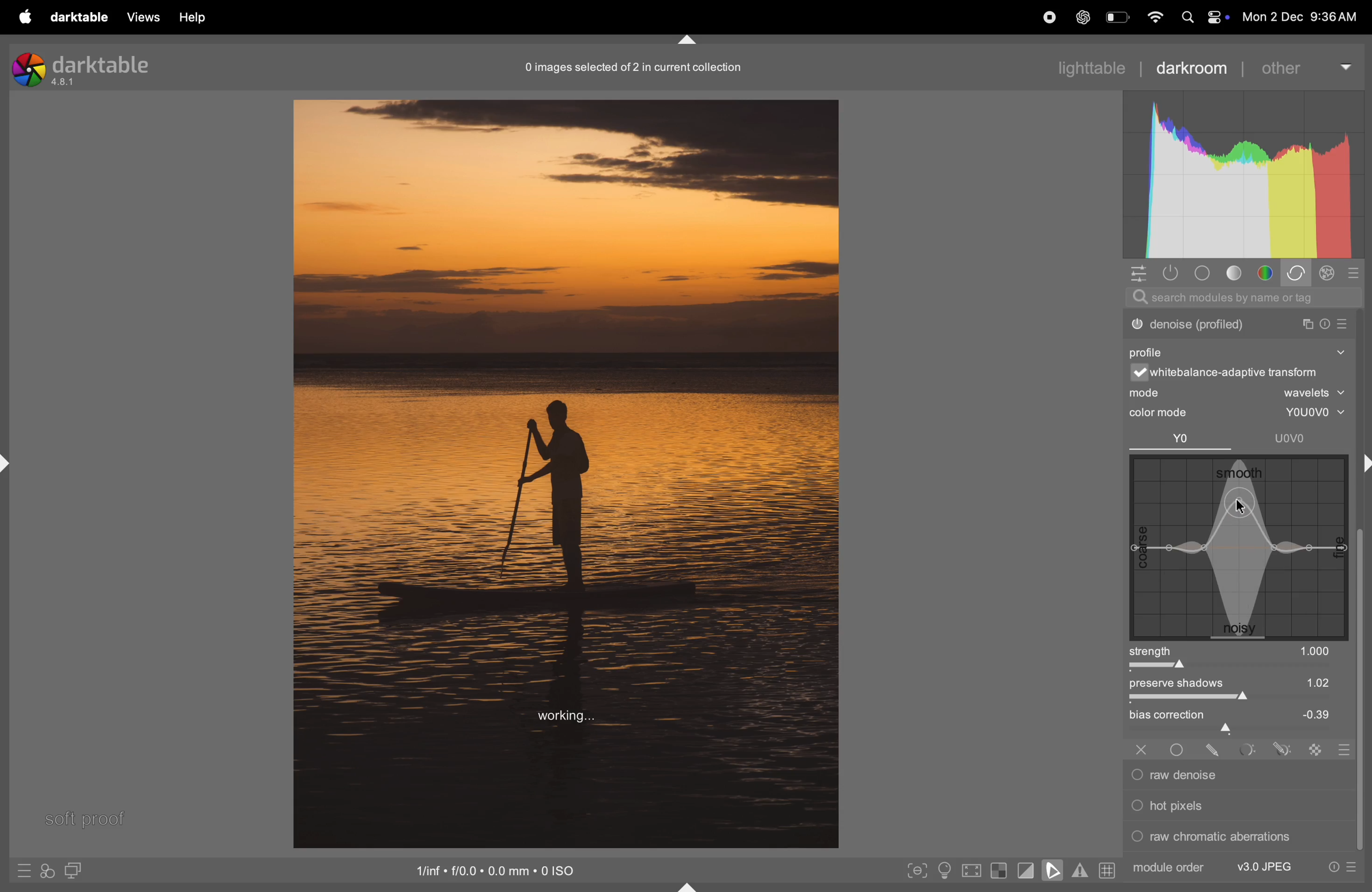 The height and width of the screenshot is (892, 1372). Describe the element at coordinates (1304, 17) in the screenshot. I see `date and time` at that location.